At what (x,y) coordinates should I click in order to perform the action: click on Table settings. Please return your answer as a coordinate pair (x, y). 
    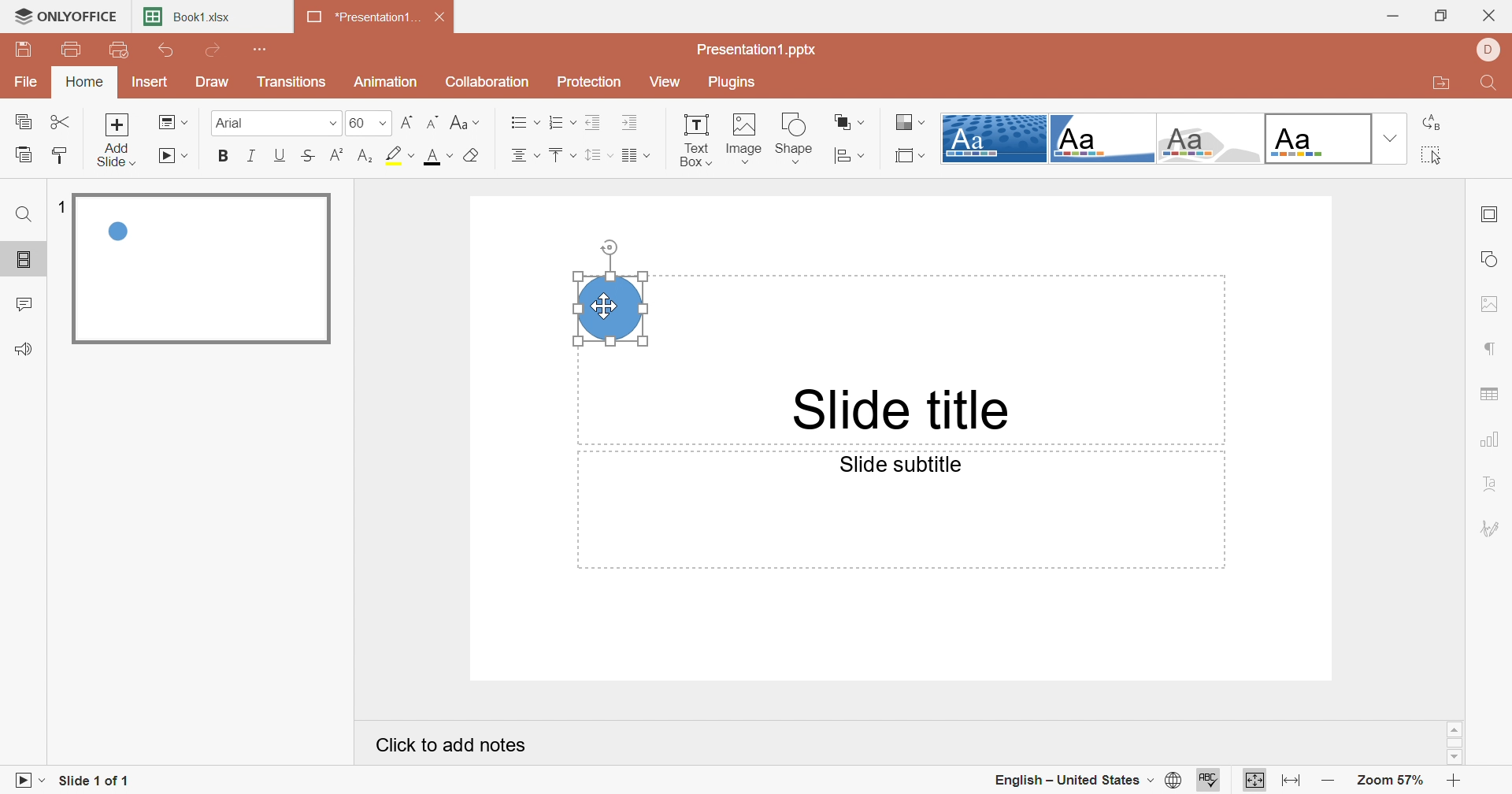
    Looking at the image, I should click on (1494, 390).